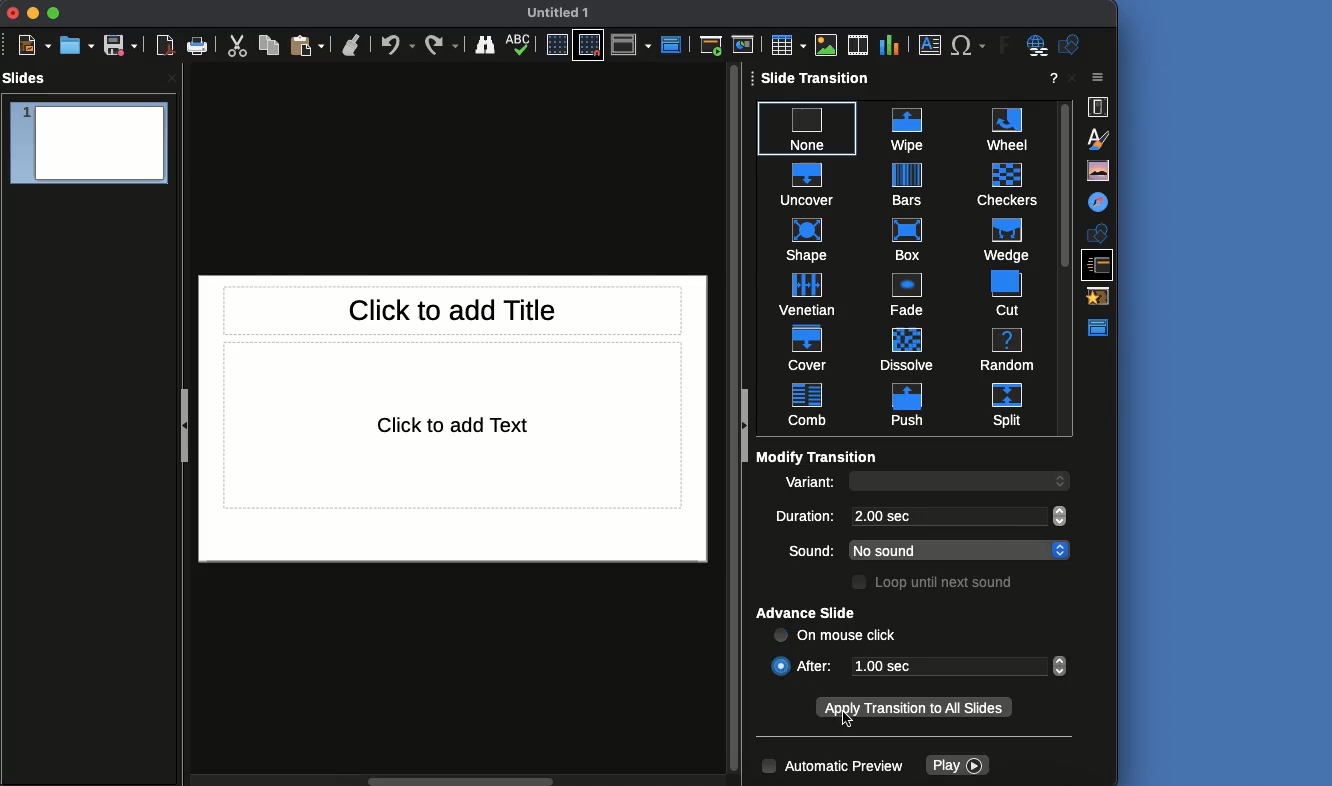 The image size is (1332, 786). What do you see at coordinates (936, 584) in the screenshot?
I see `Loop until next sound` at bounding box center [936, 584].